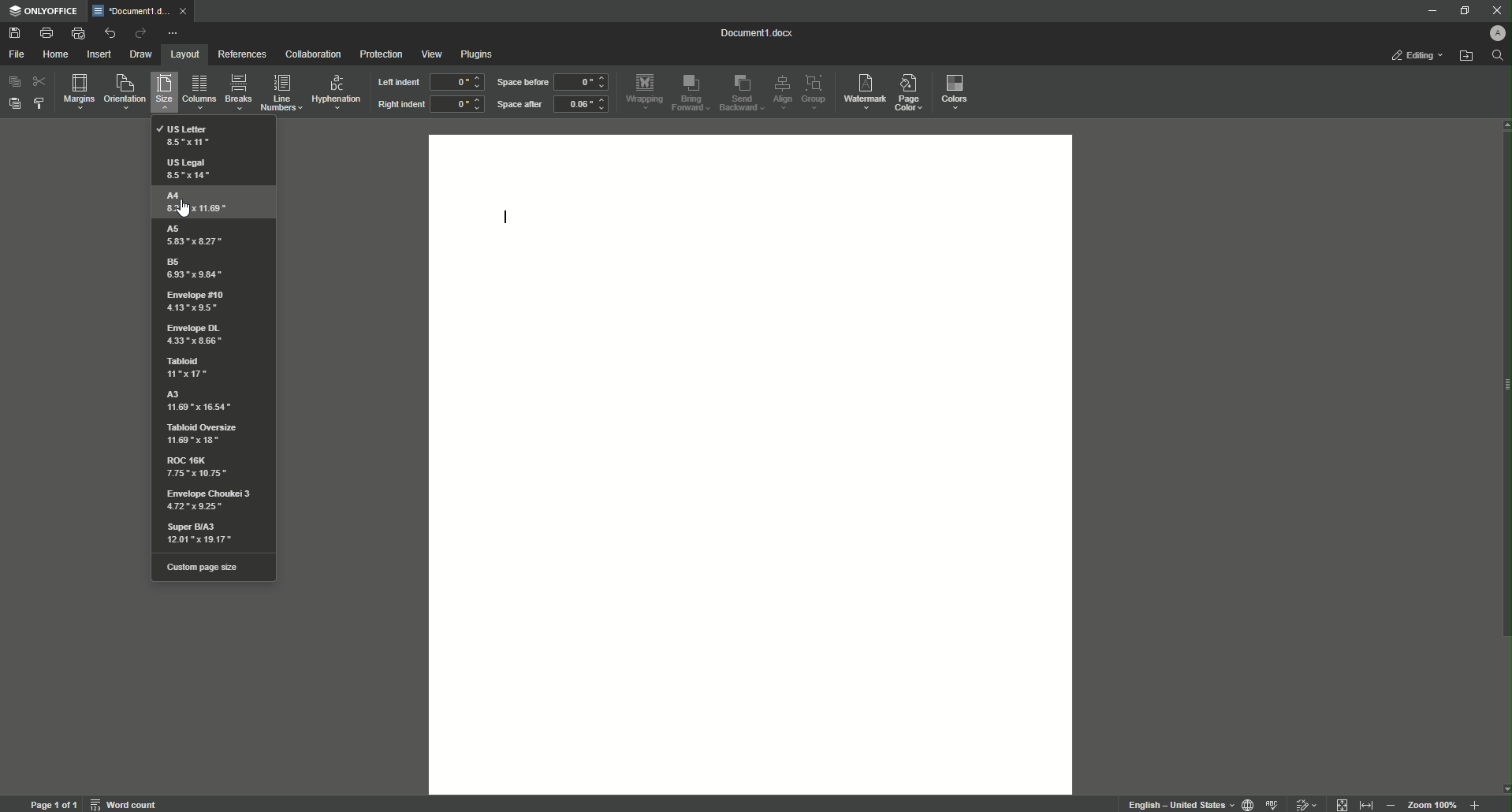  Describe the element at coordinates (313, 54) in the screenshot. I see `Collaboration` at that location.